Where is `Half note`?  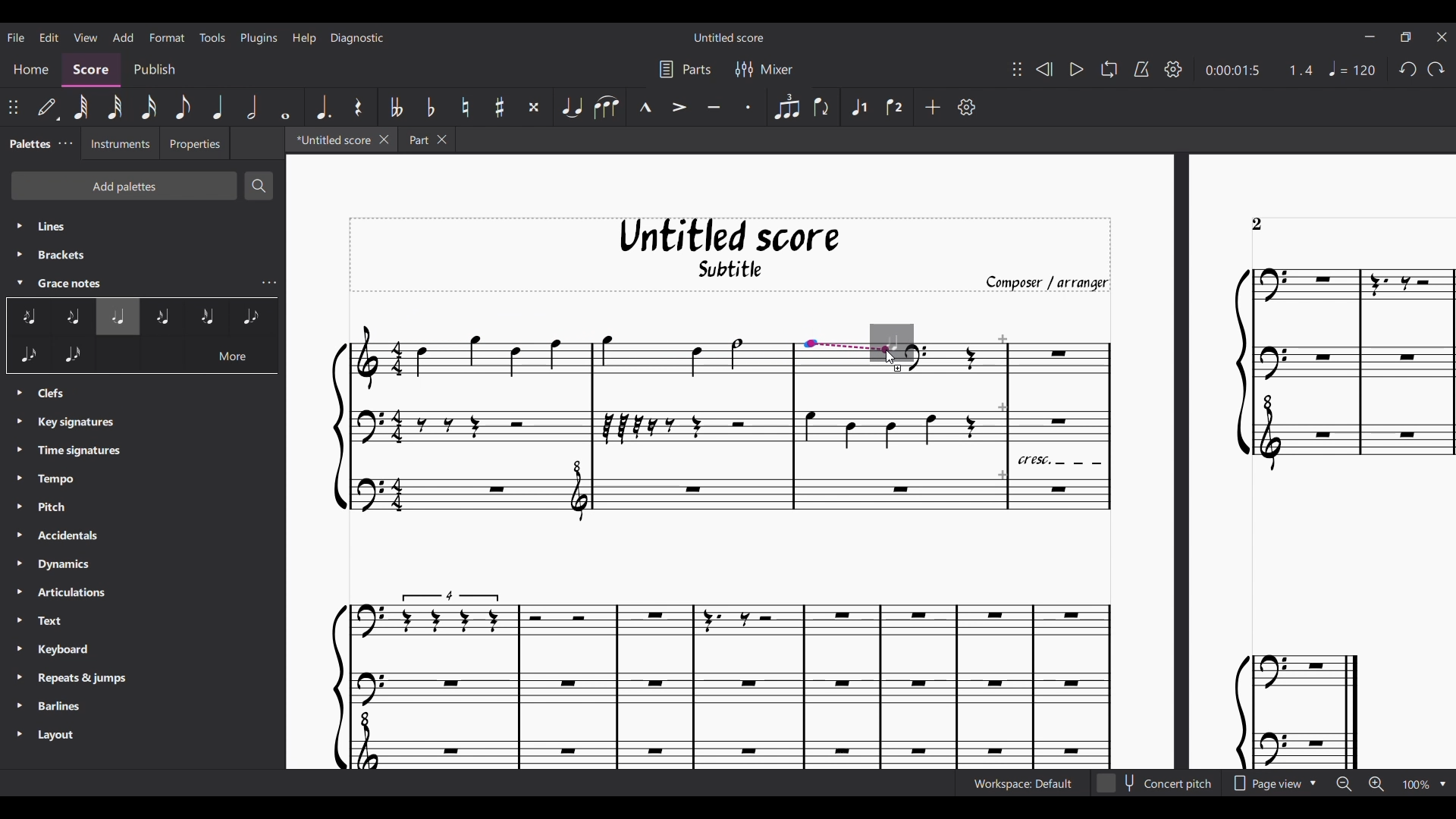
Half note is located at coordinates (251, 107).